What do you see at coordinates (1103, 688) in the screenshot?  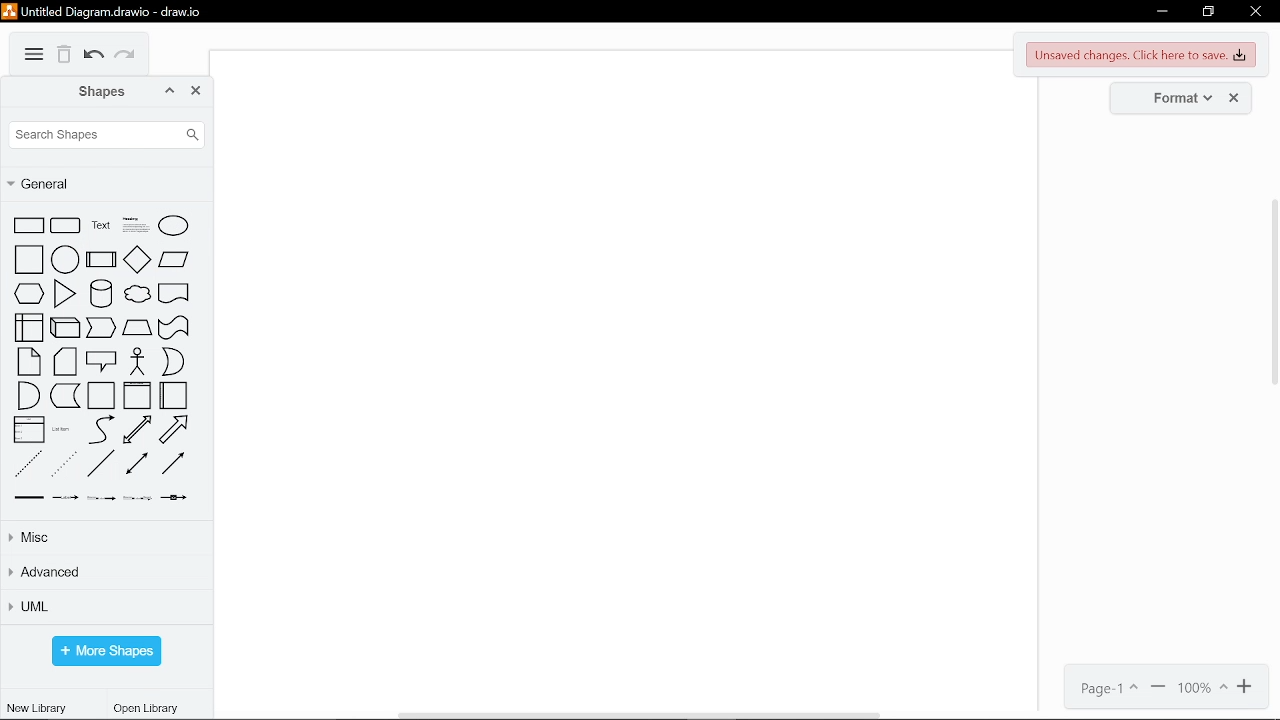 I see `page1` at bounding box center [1103, 688].